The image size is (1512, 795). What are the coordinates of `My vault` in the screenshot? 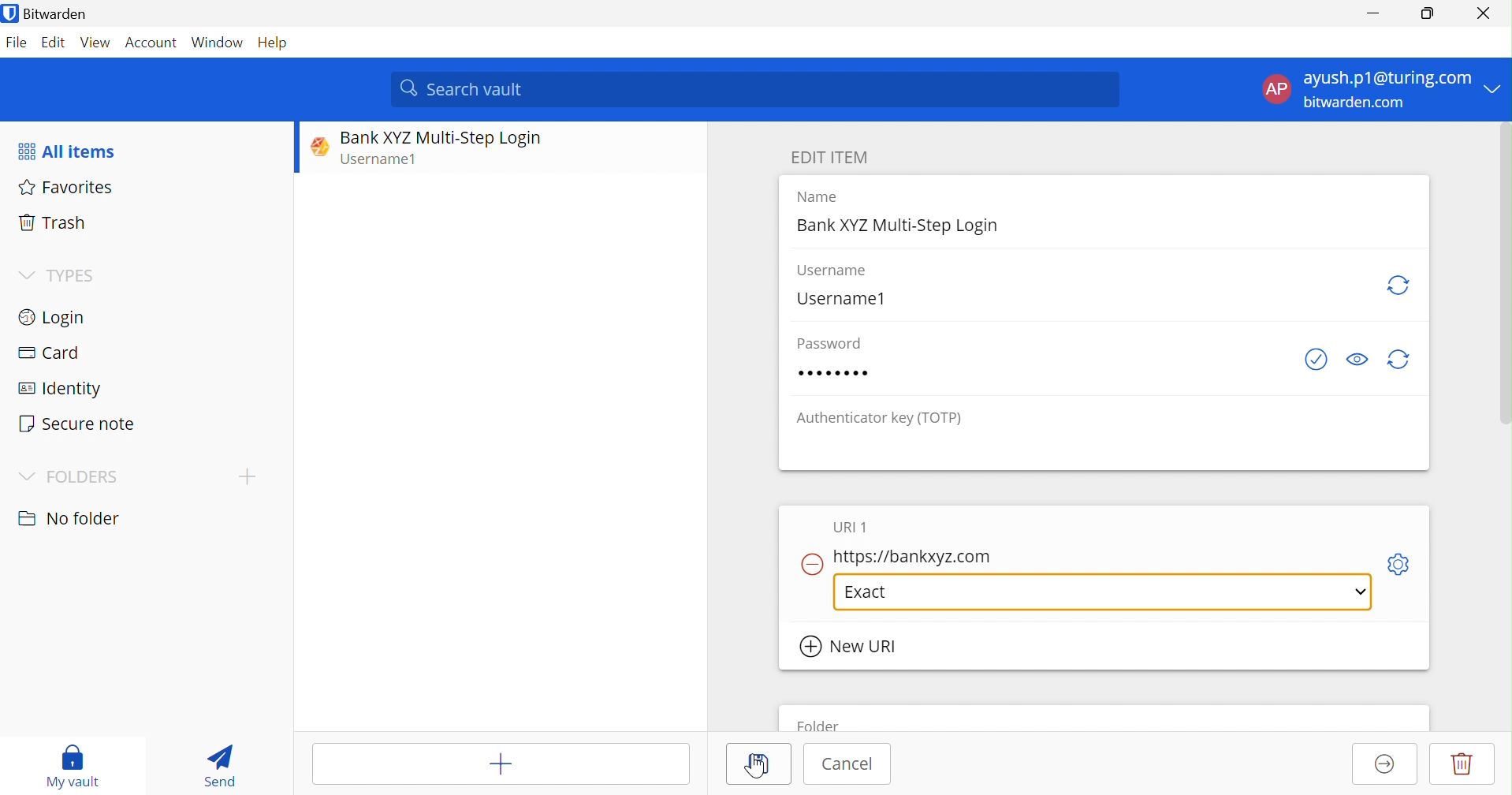 It's located at (72, 766).